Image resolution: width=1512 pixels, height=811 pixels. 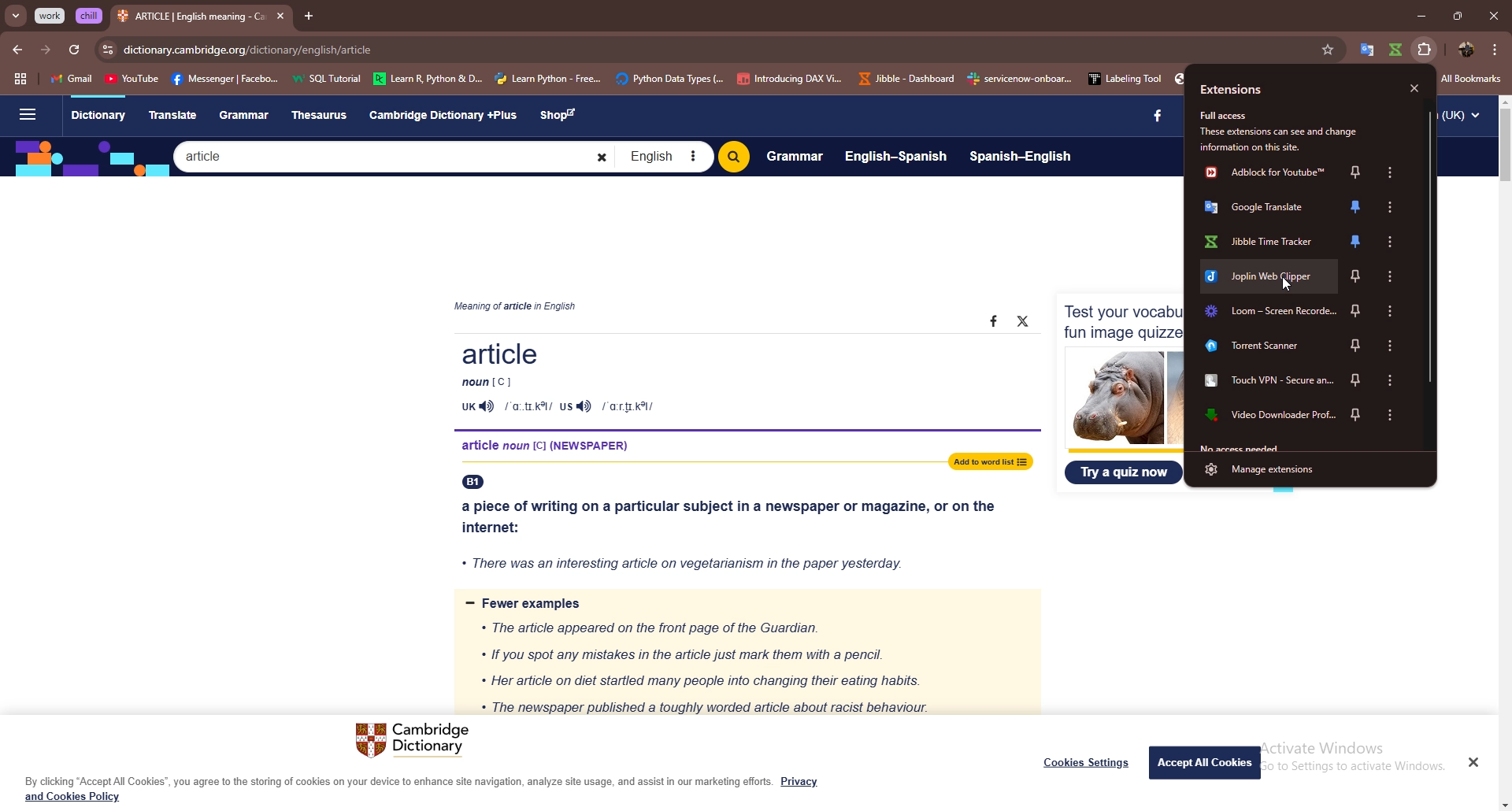 What do you see at coordinates (1360, 209) in the screenshot?
I see `unpin` at bounding box center [1360, 209].